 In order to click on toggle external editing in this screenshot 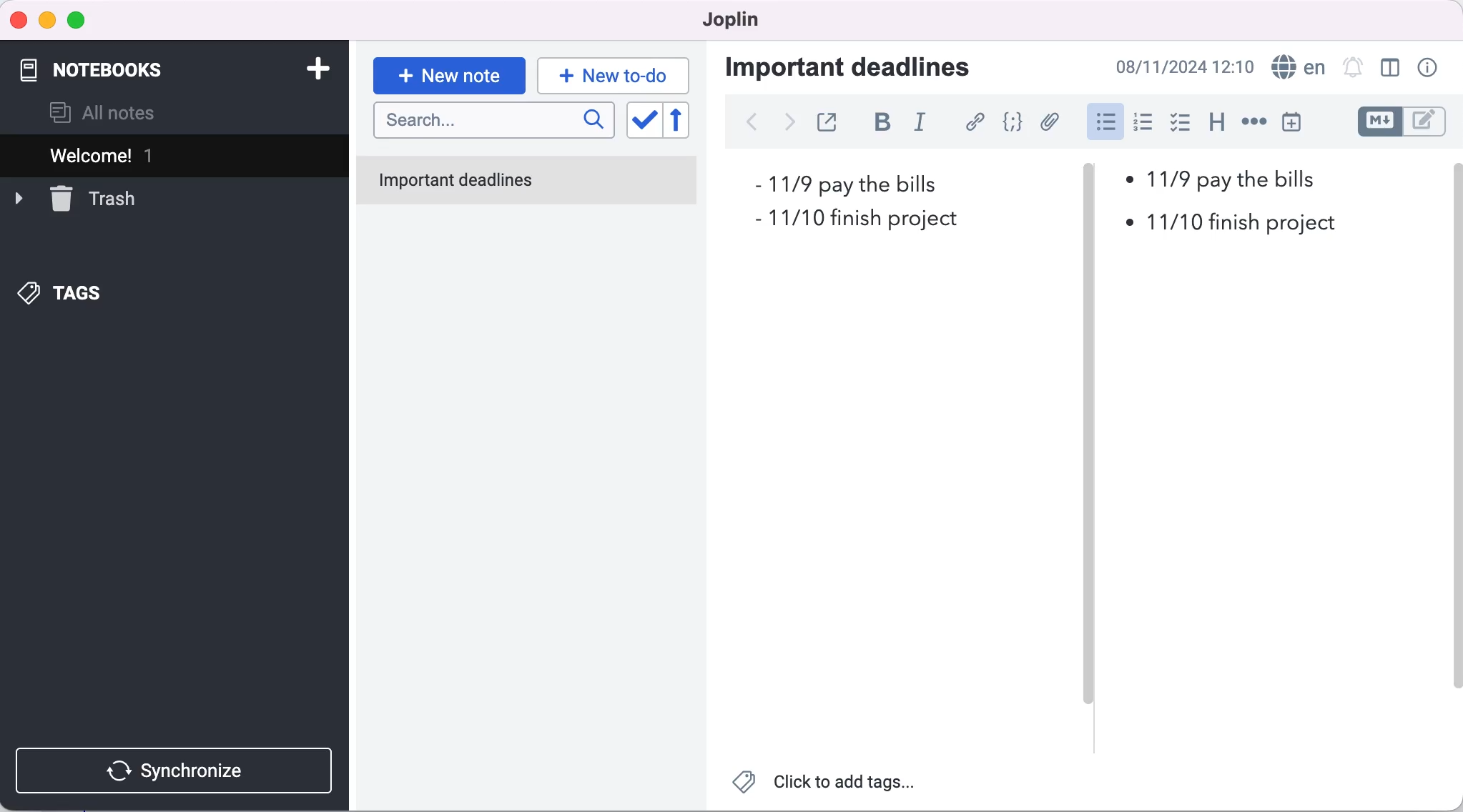, I will do `click(827, 124)`.